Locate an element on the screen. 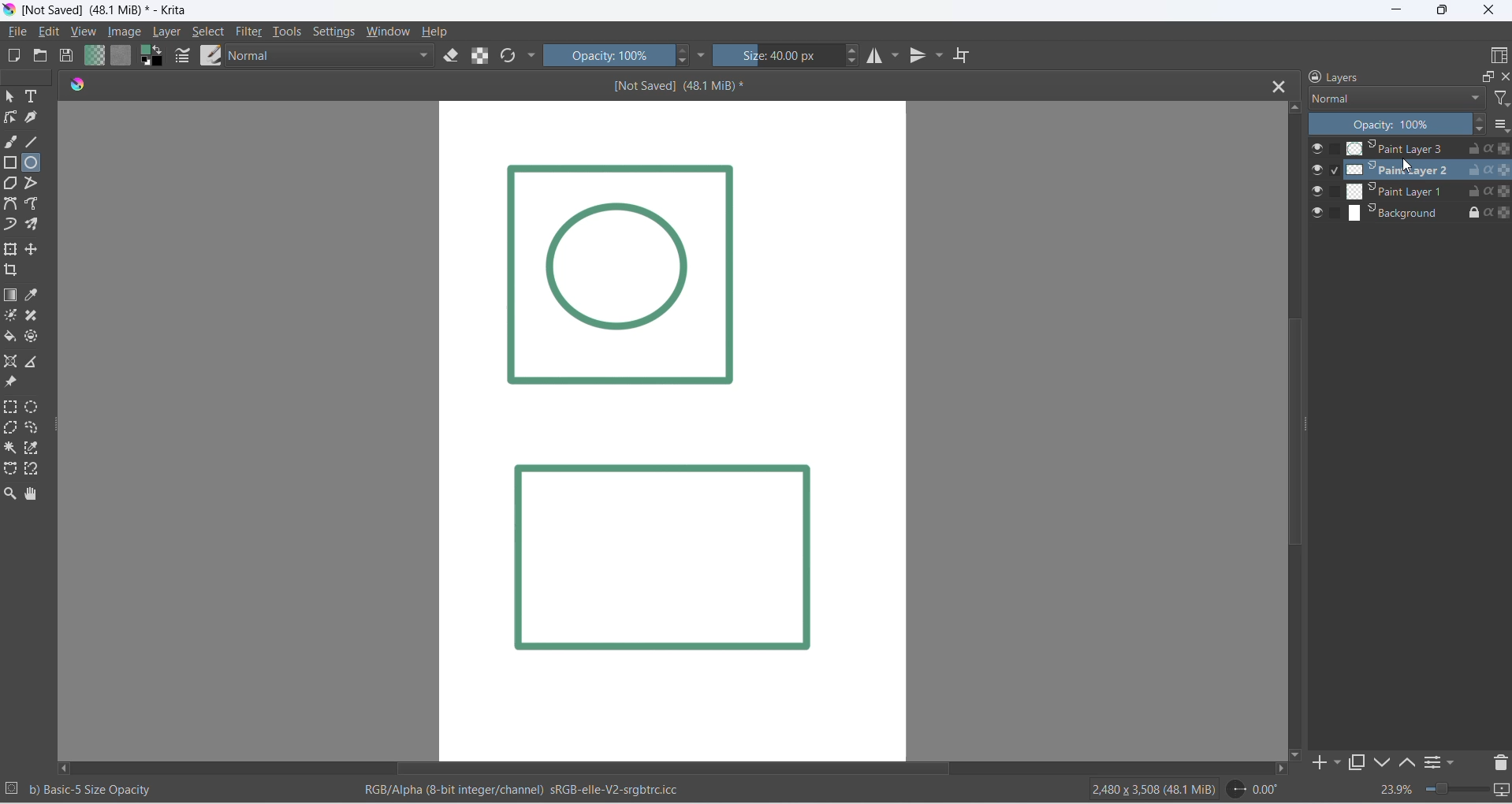  edit shapes tool is located at coordinates (10, 120).